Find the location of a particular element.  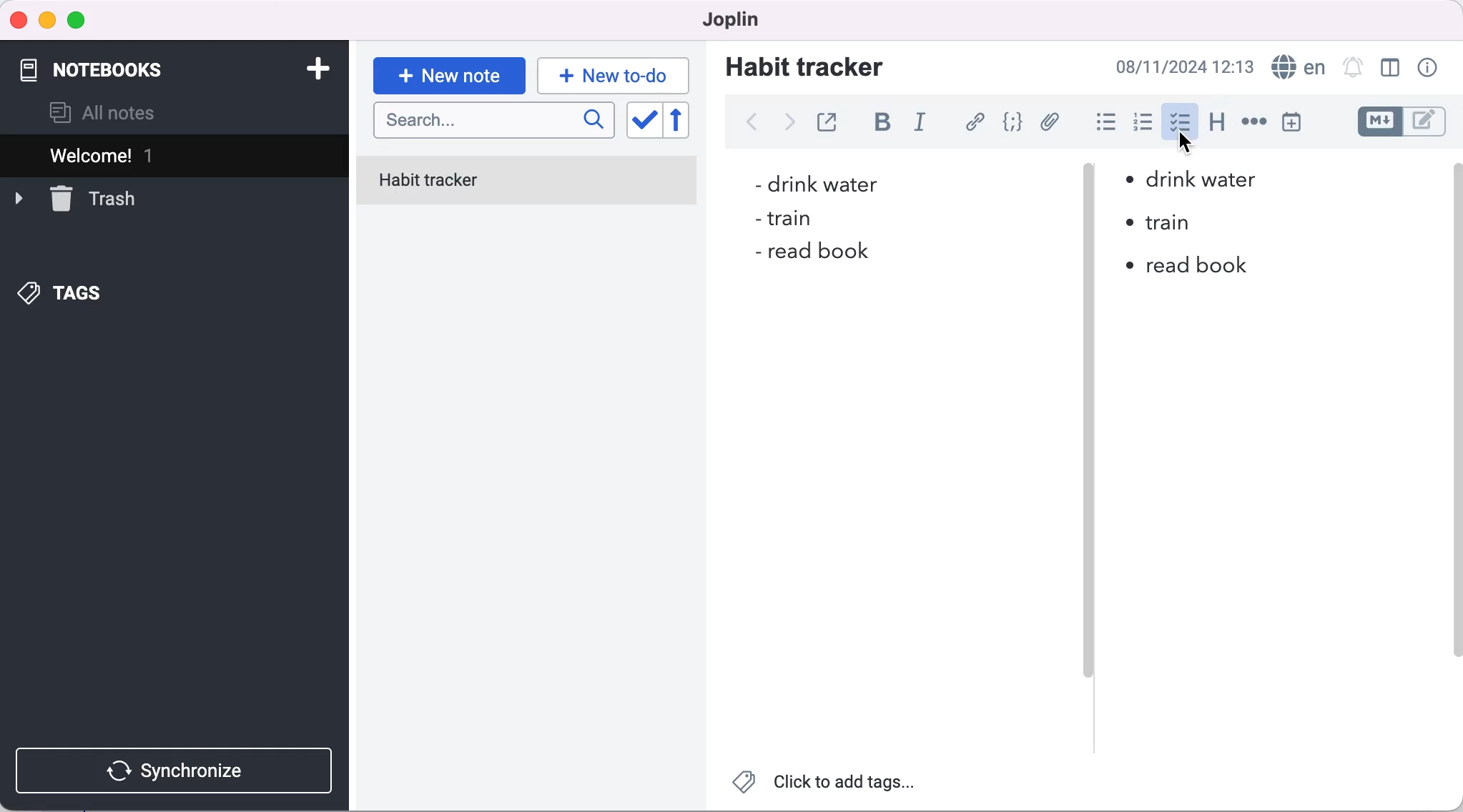

code is located at coordinates (1015, 122).